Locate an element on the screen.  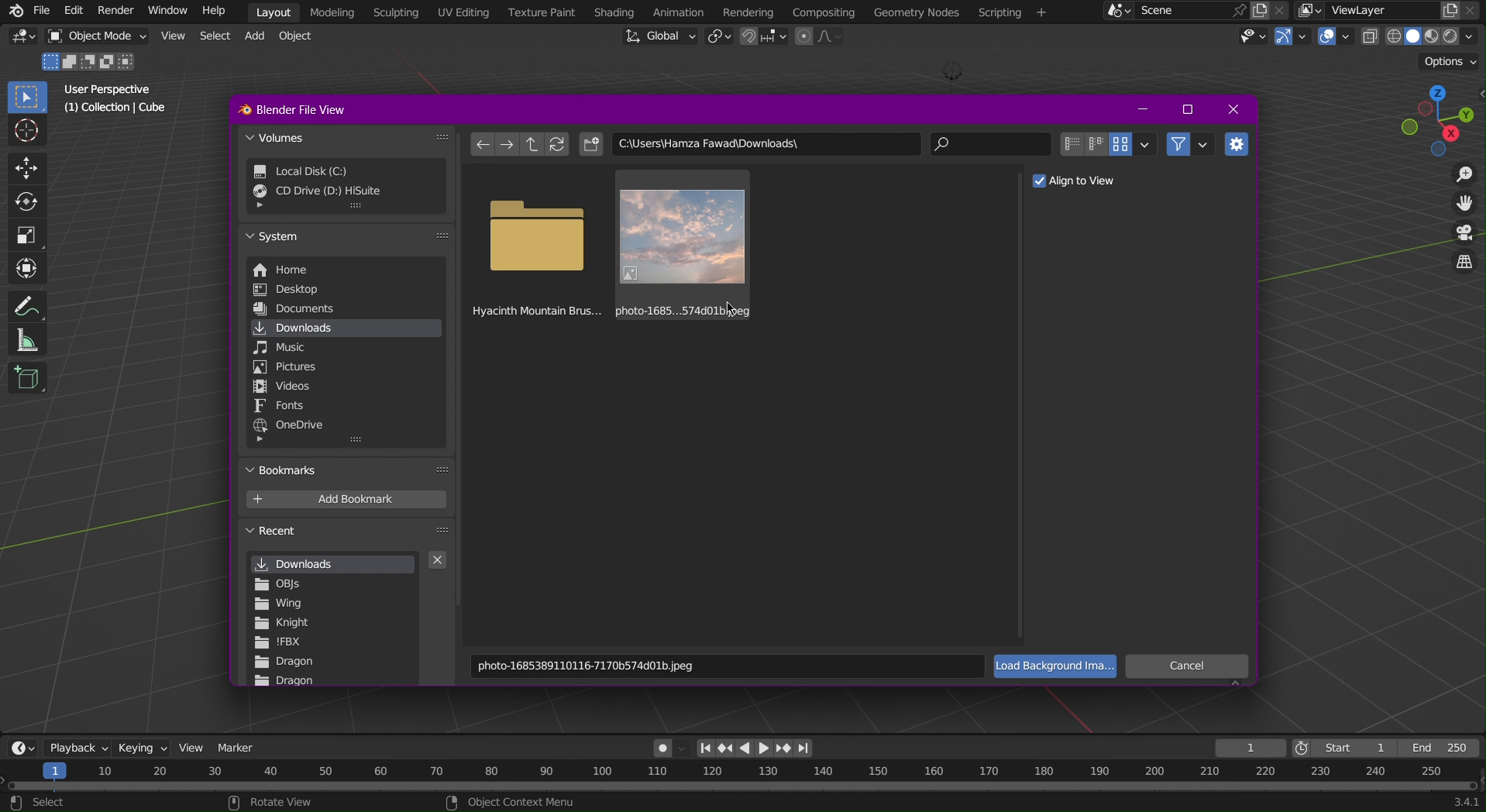
View is located at coordinates (194, 746).